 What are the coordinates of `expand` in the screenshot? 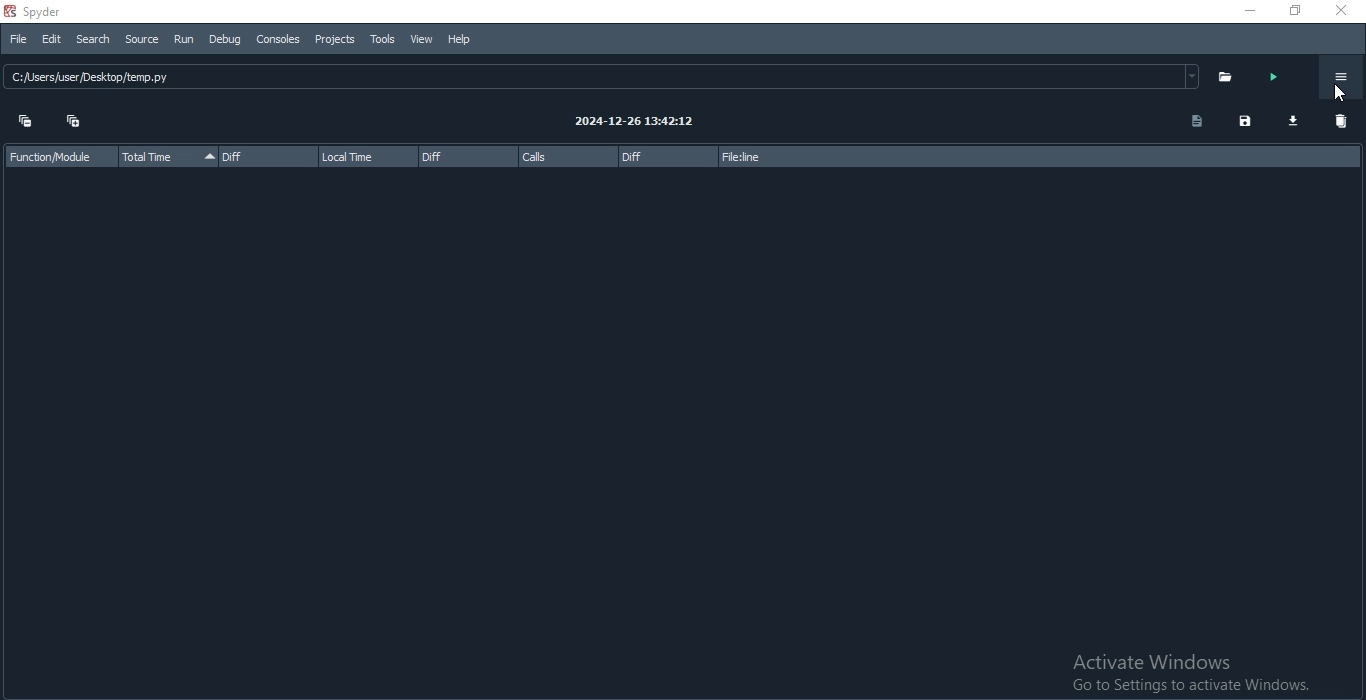 It's located at (76, 121).